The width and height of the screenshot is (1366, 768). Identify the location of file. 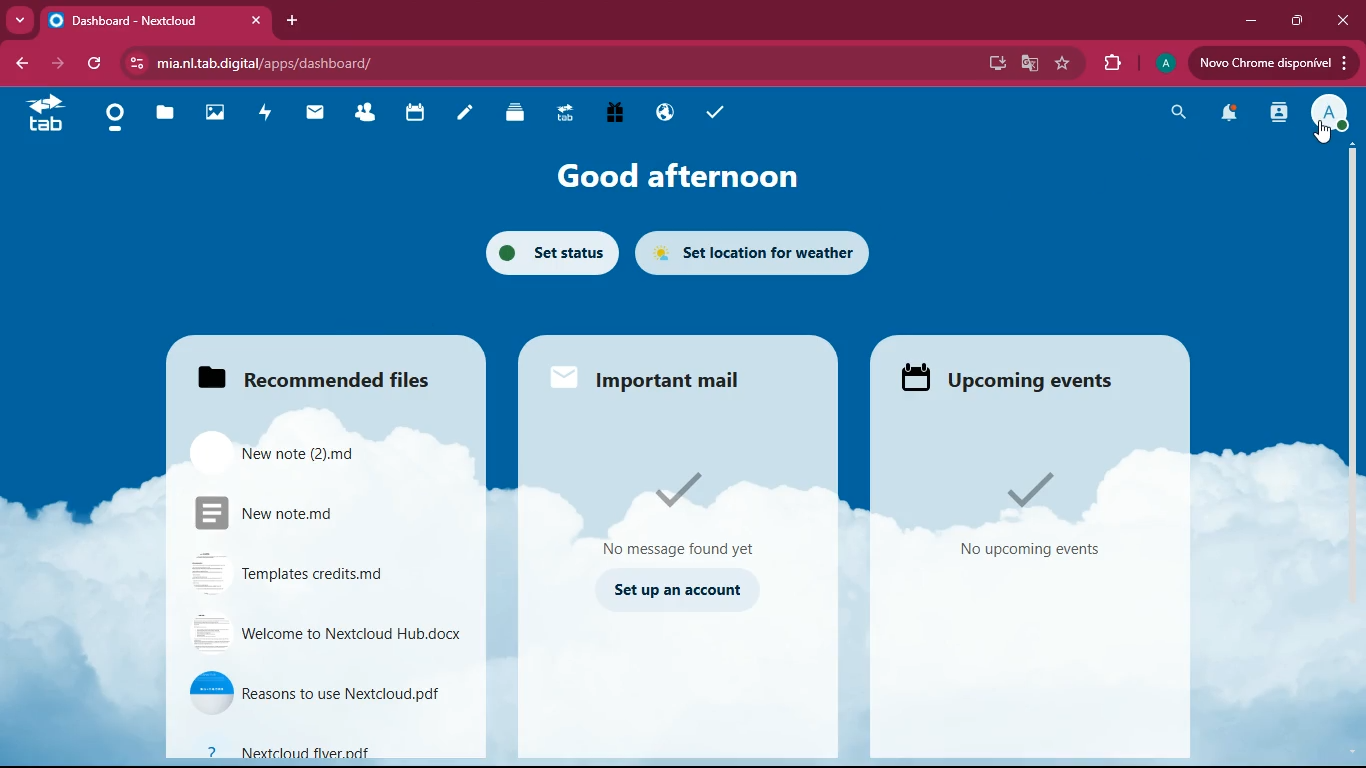
(288, 512).